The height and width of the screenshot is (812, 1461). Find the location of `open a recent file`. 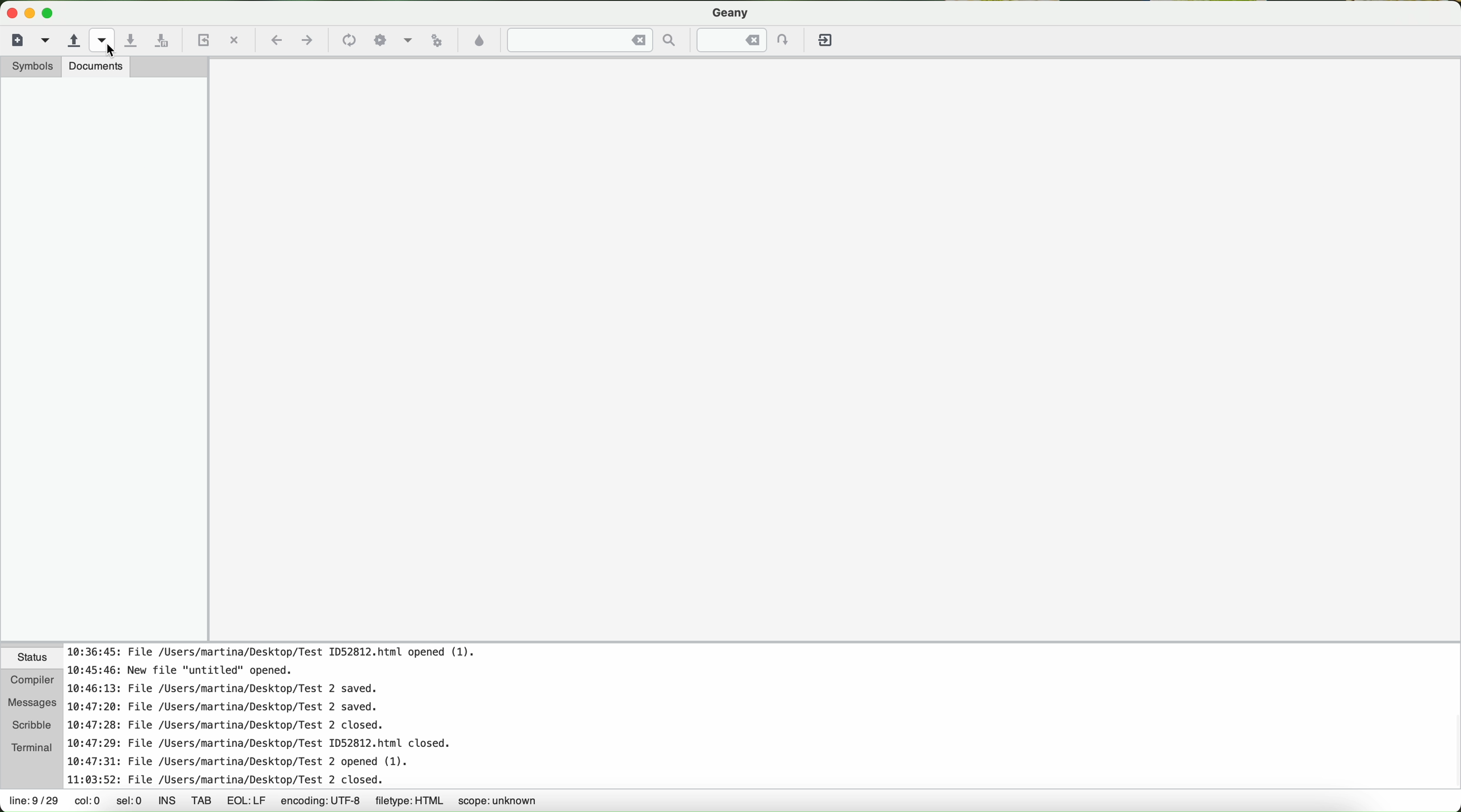

open a recent file is located at coordinates (103, 42).